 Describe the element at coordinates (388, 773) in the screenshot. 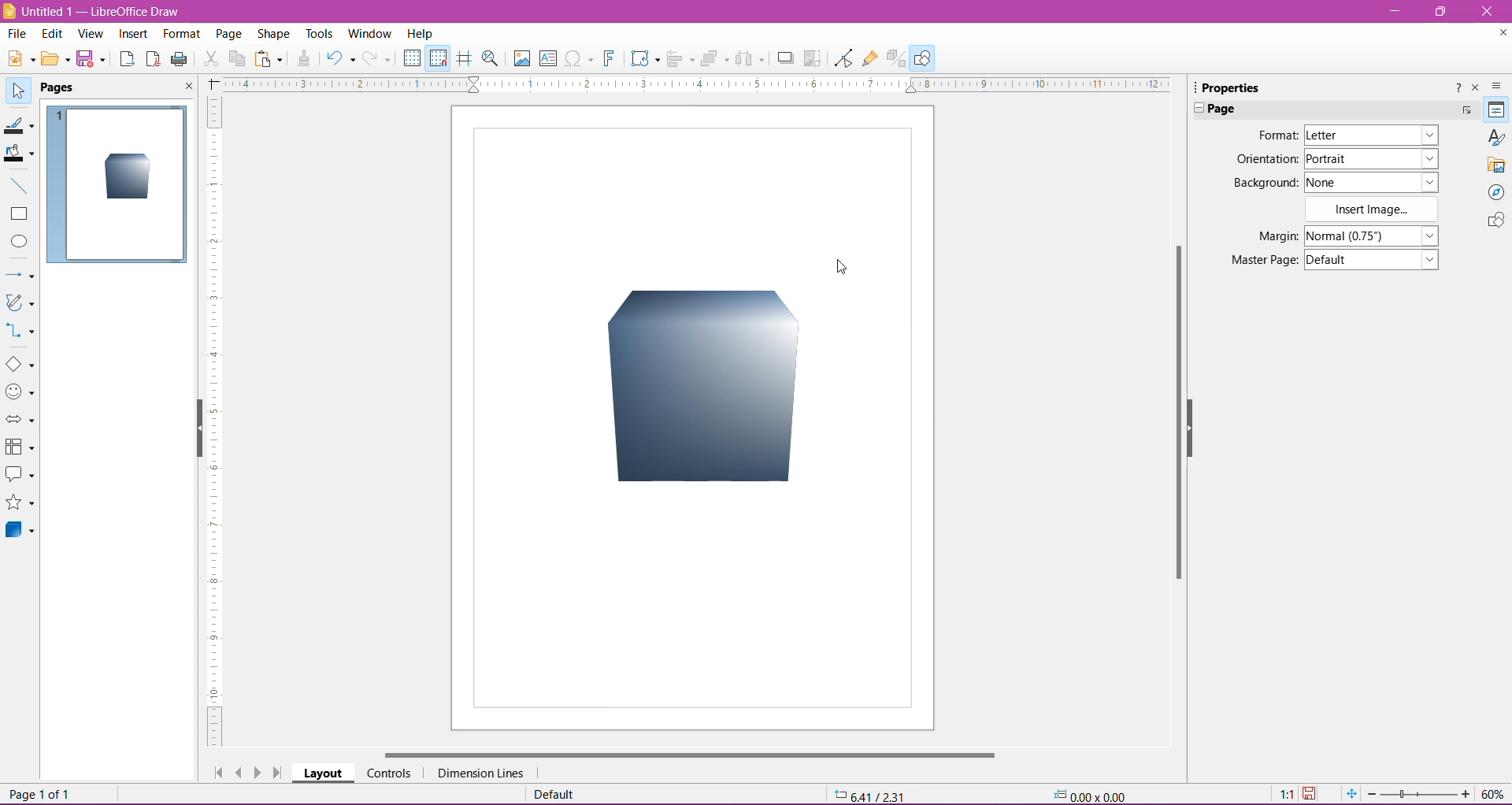

I see `Controls` at that location.